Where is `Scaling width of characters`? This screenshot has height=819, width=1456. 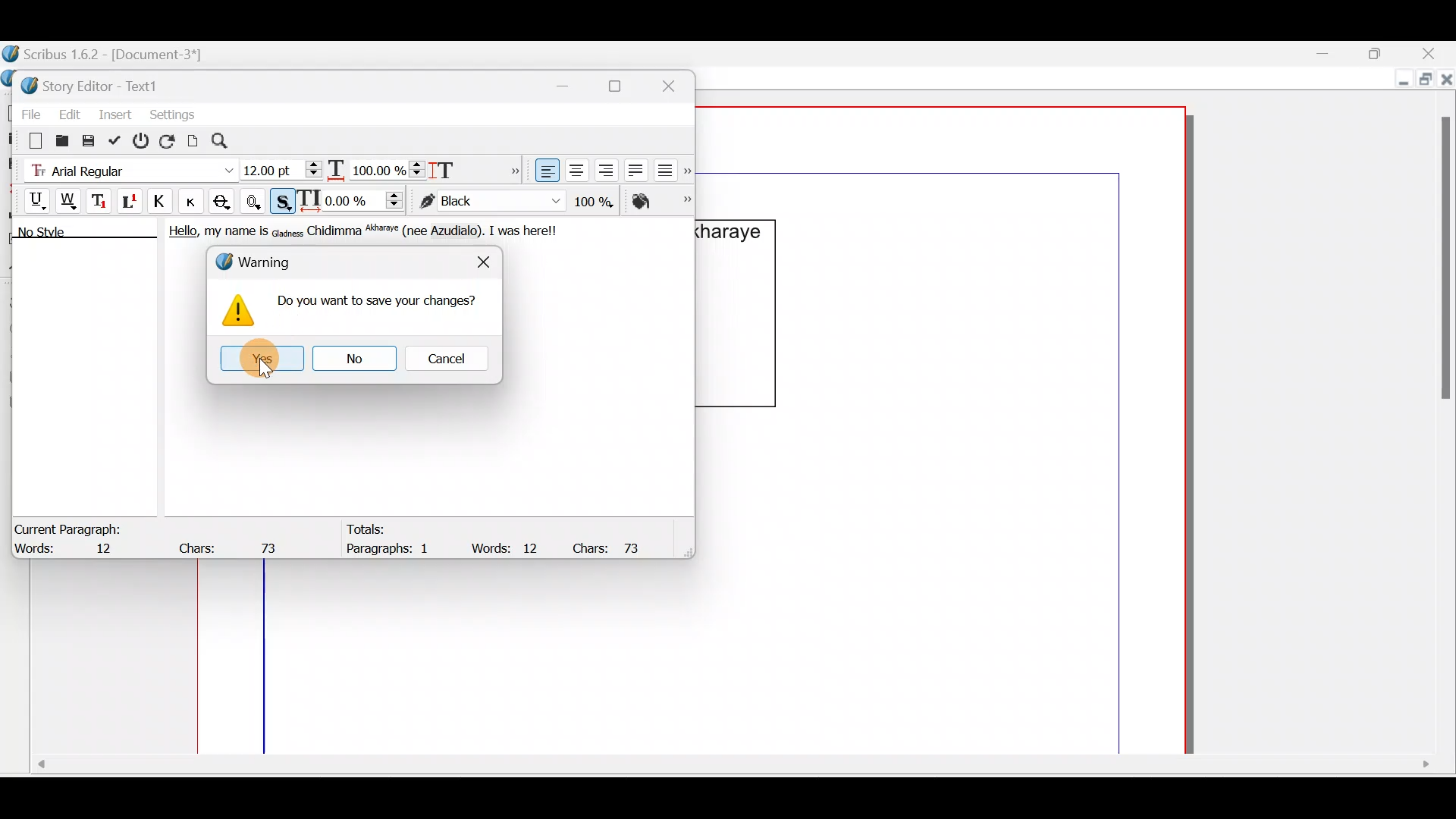
Scaling width of characters is located at coordinates (376, 167).